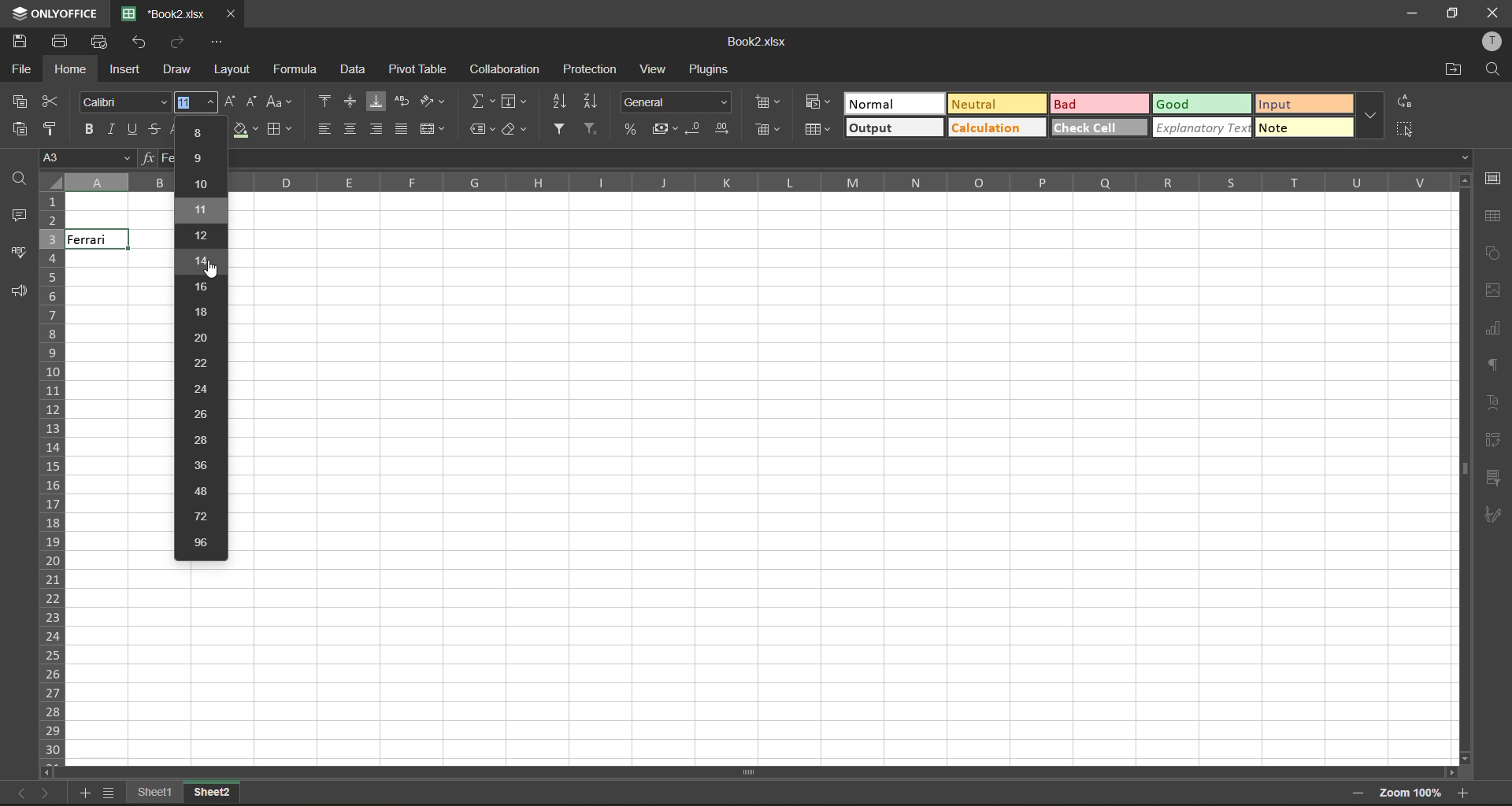  I want to click on 11, so click(201, 213).